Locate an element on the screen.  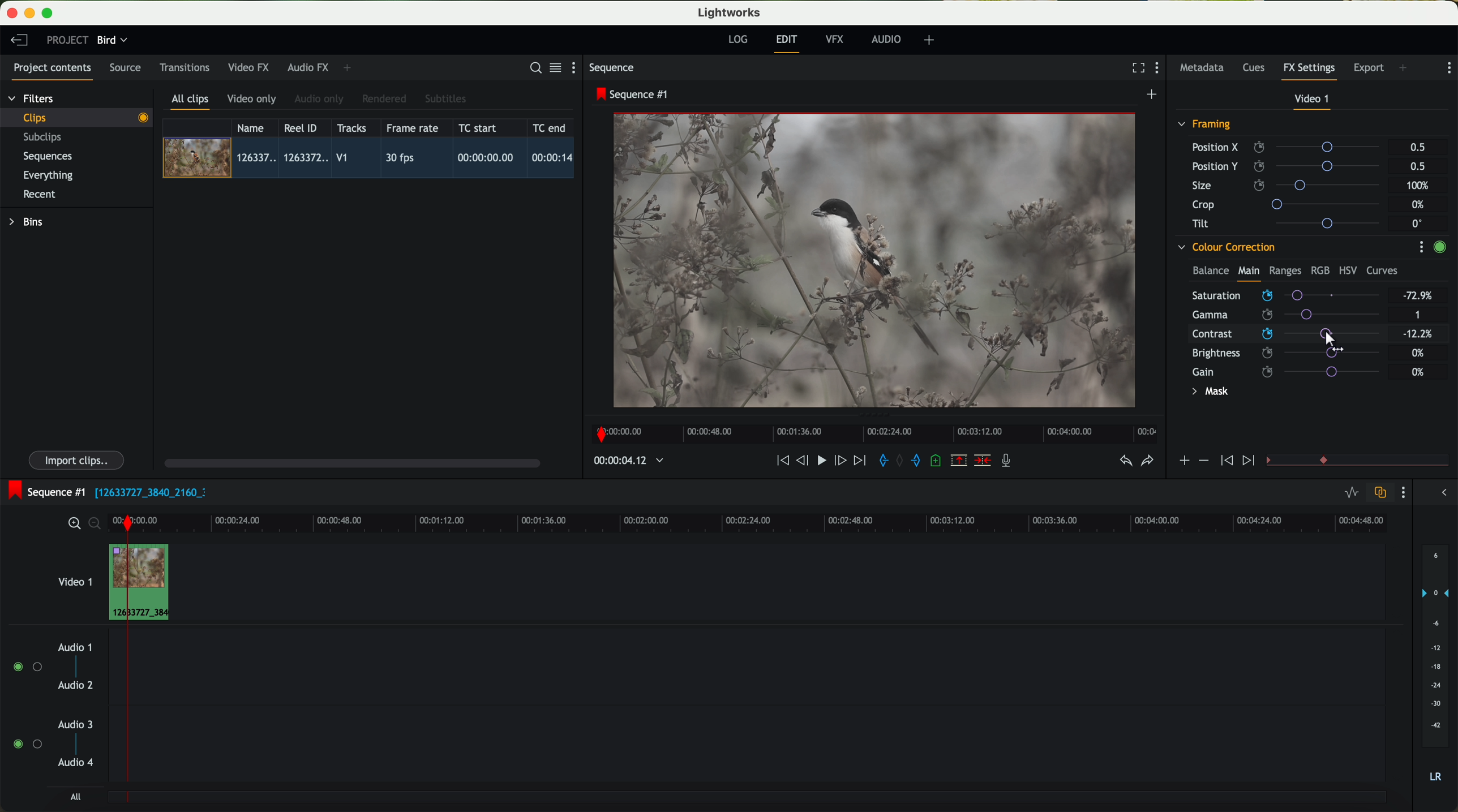
drag to is located at coordinates (1336, 341).